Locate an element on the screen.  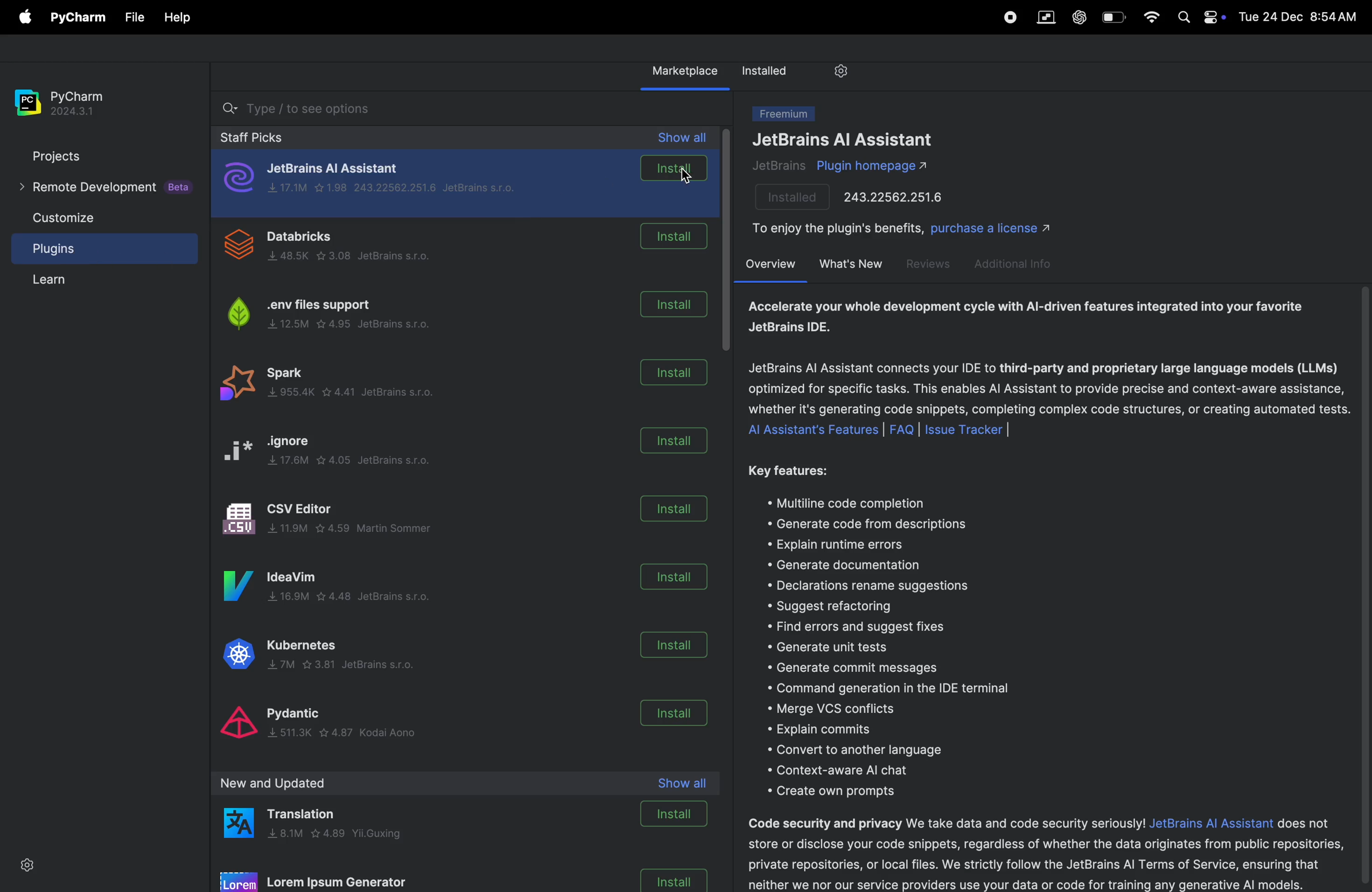
kubernates is located at coordinates (327, 656).